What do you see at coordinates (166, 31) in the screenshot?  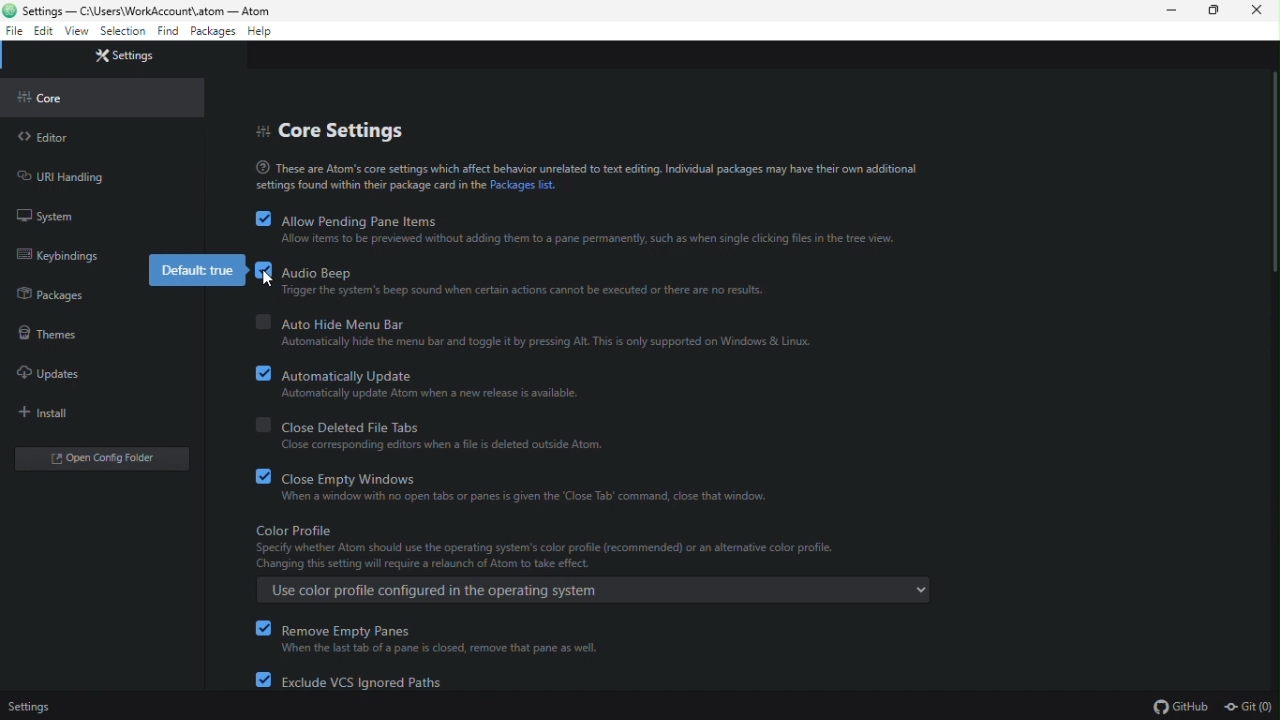 I see `find` at bounding box center [166, 31].